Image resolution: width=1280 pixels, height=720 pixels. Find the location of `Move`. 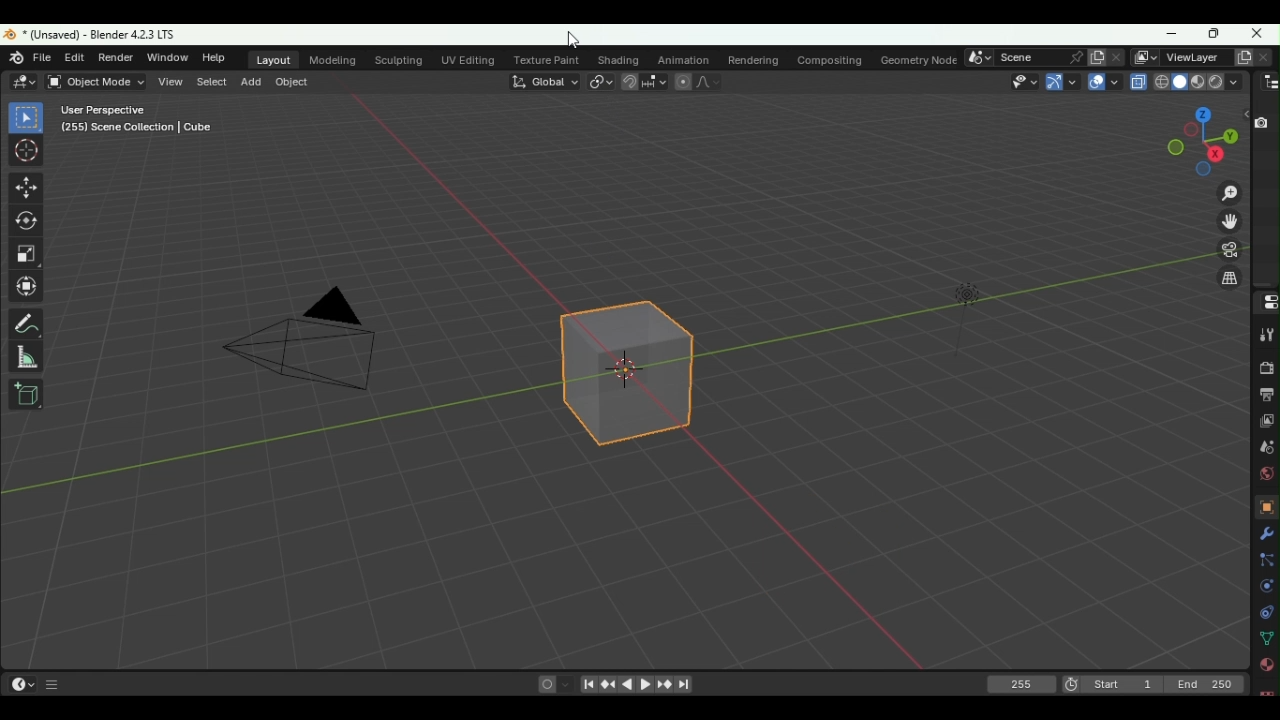

Move is located at coordinates (26, 190).